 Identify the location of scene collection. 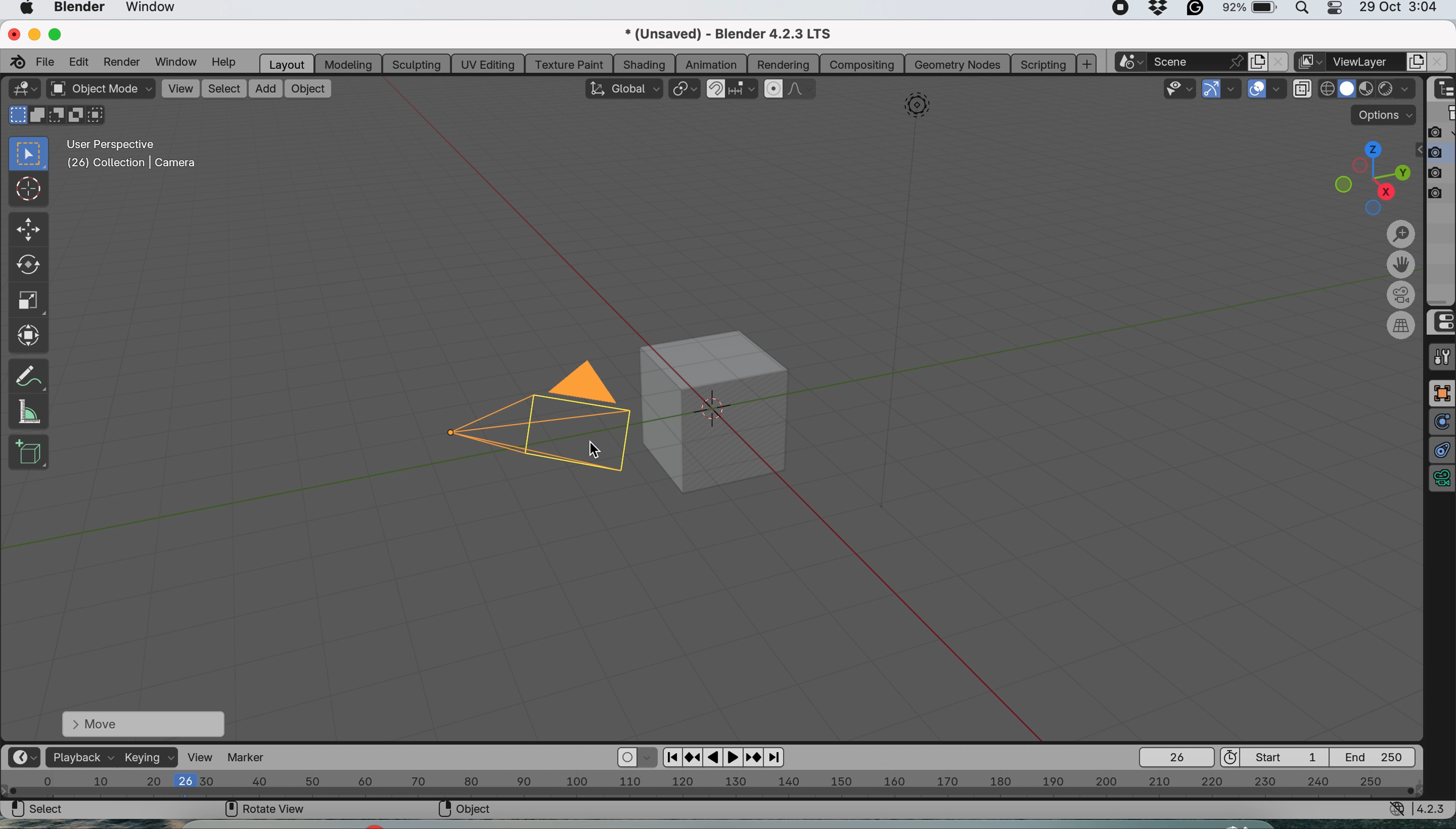
(1442, 114).